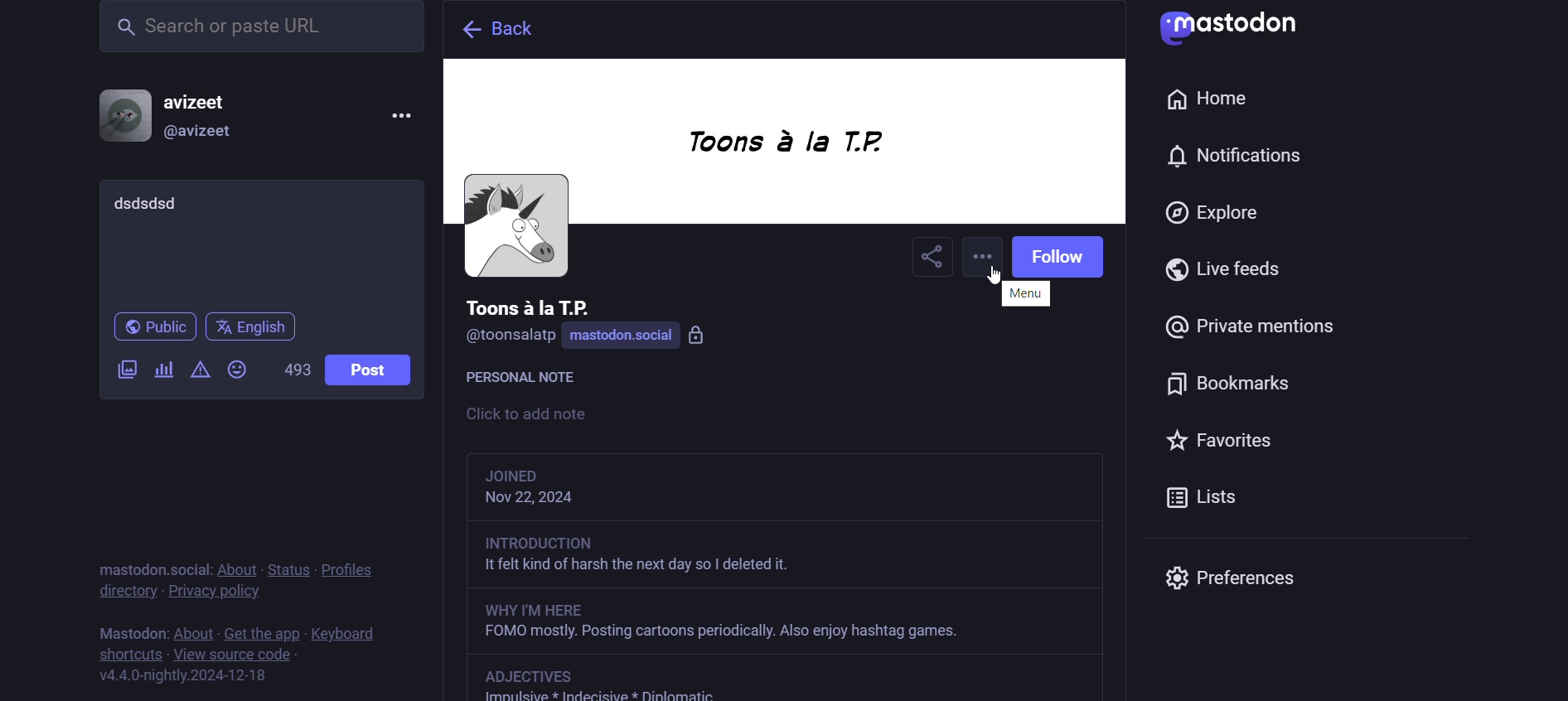  I want to click on text, so click(150, 559).